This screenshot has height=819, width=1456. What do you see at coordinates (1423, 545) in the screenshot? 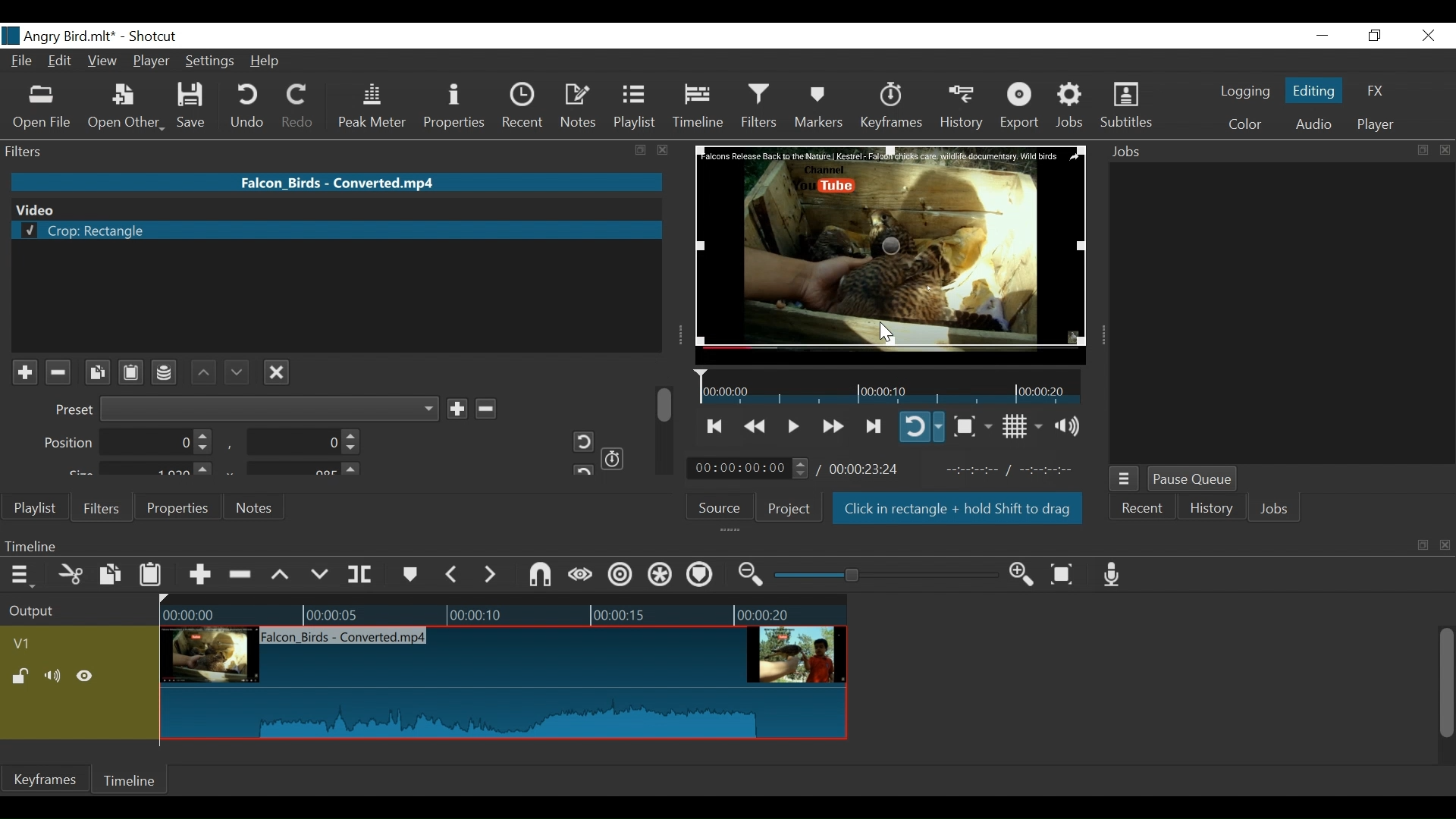
I see `copy` at bounding box center [1423, 545].